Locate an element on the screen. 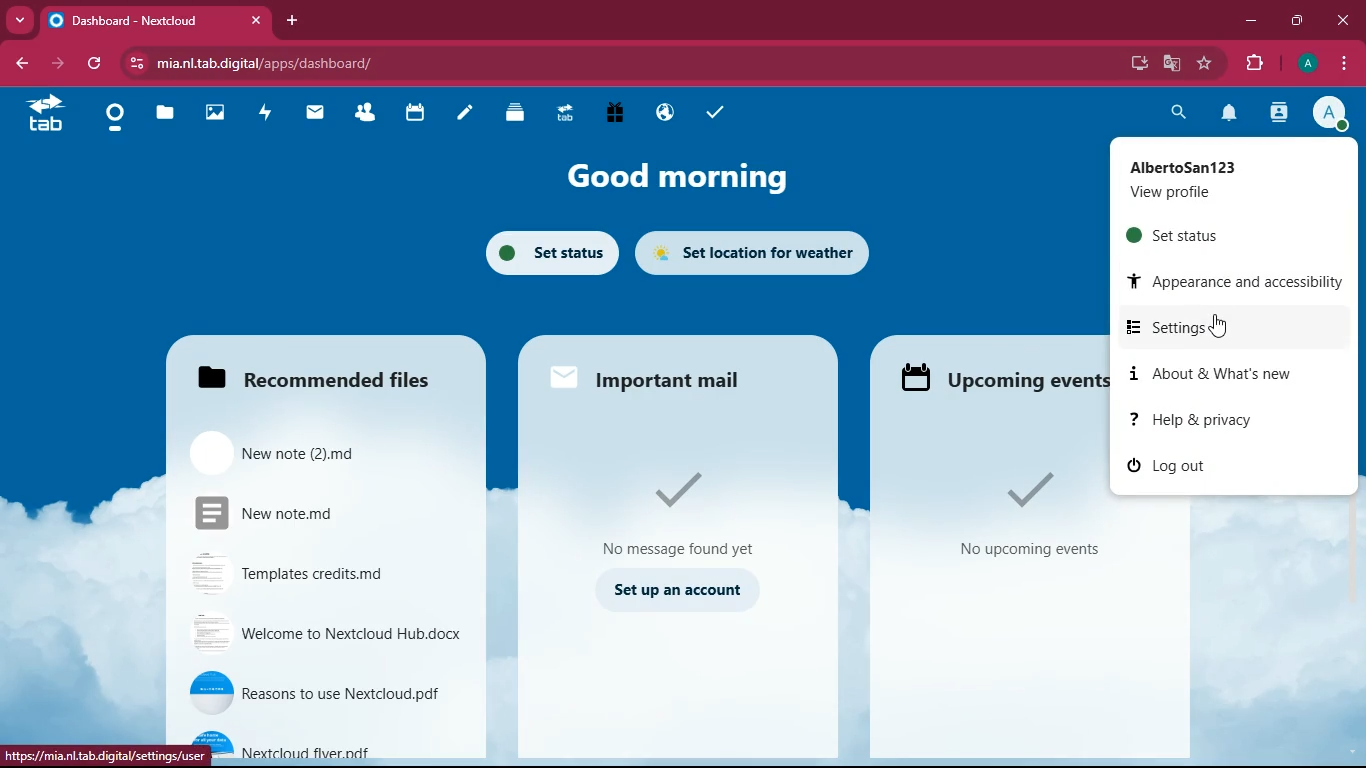 This screenshot has height=768, width=1366. calendar is located at coordinates (415, 114).